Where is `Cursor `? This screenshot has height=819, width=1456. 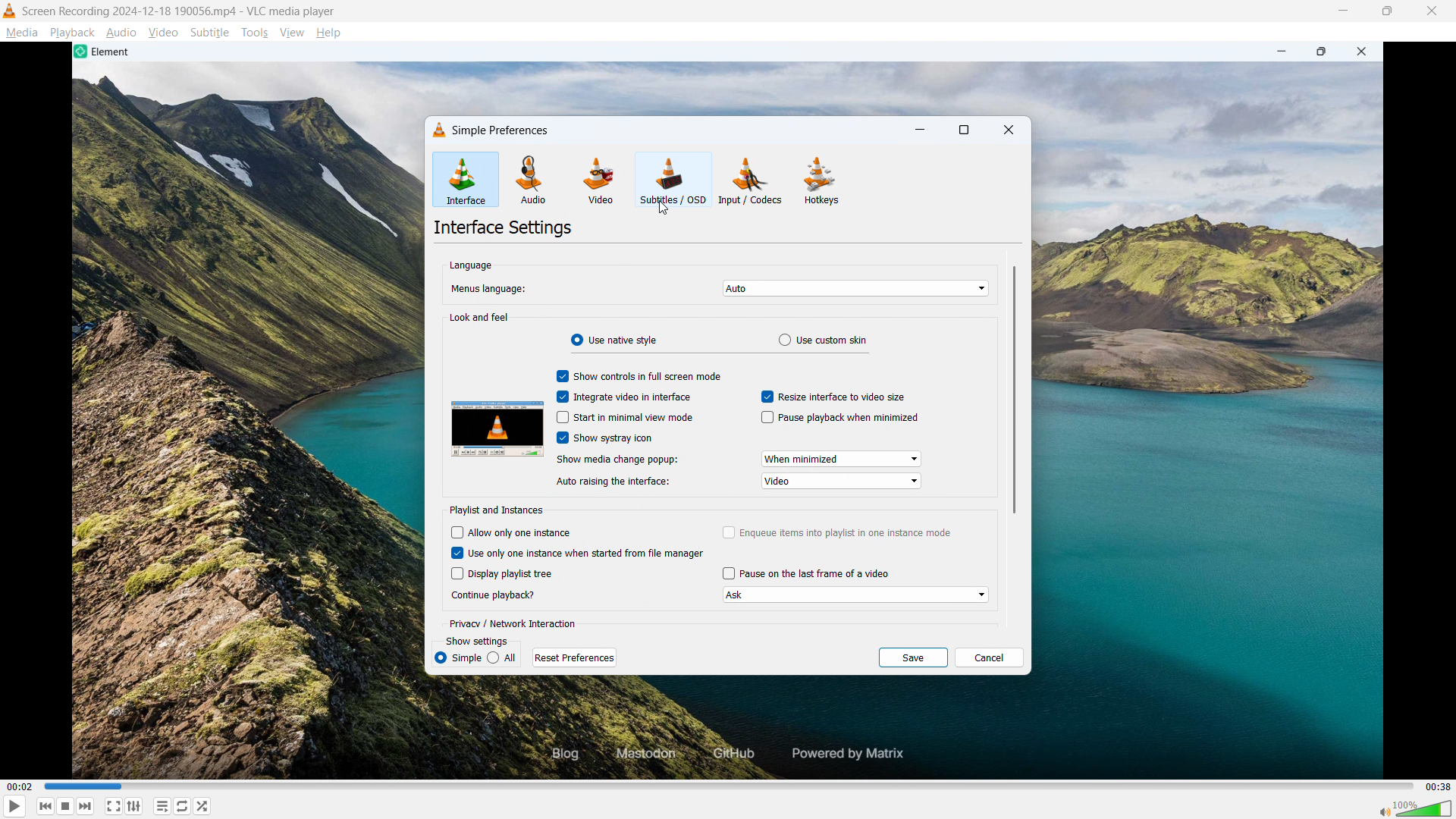 Cursor  is located at coordinates (664, 209).